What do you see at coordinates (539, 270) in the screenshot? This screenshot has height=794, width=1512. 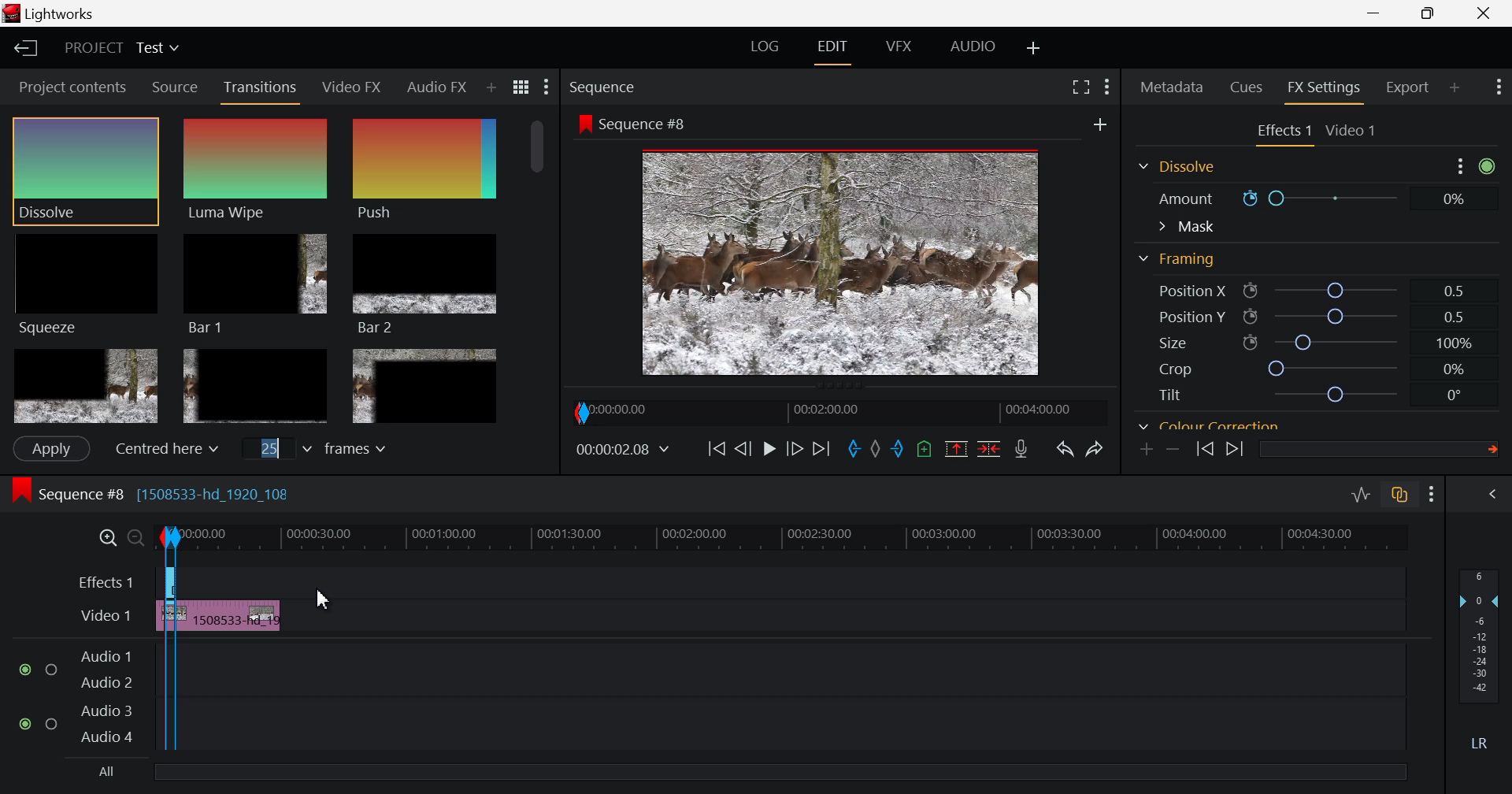 I see `Scroll Bar` at bounding box center [539, 270].